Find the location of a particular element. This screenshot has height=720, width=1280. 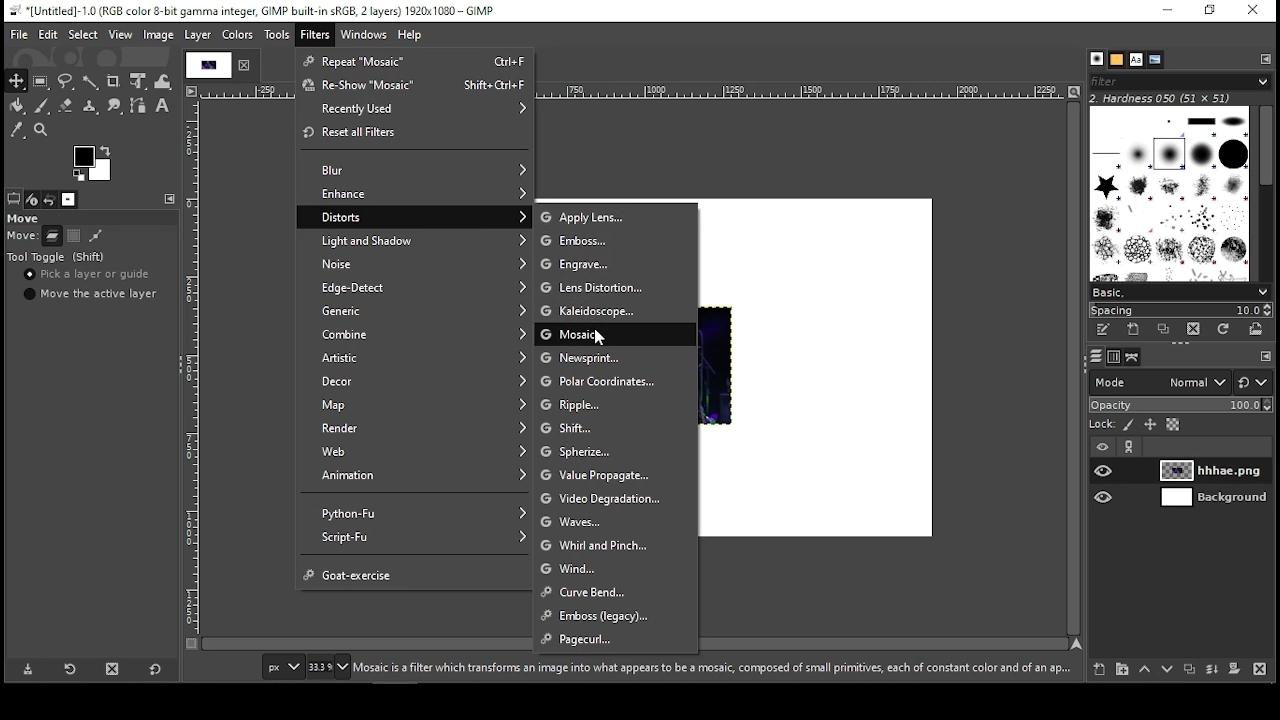

free selection tool is located at coordinates (65, 81).